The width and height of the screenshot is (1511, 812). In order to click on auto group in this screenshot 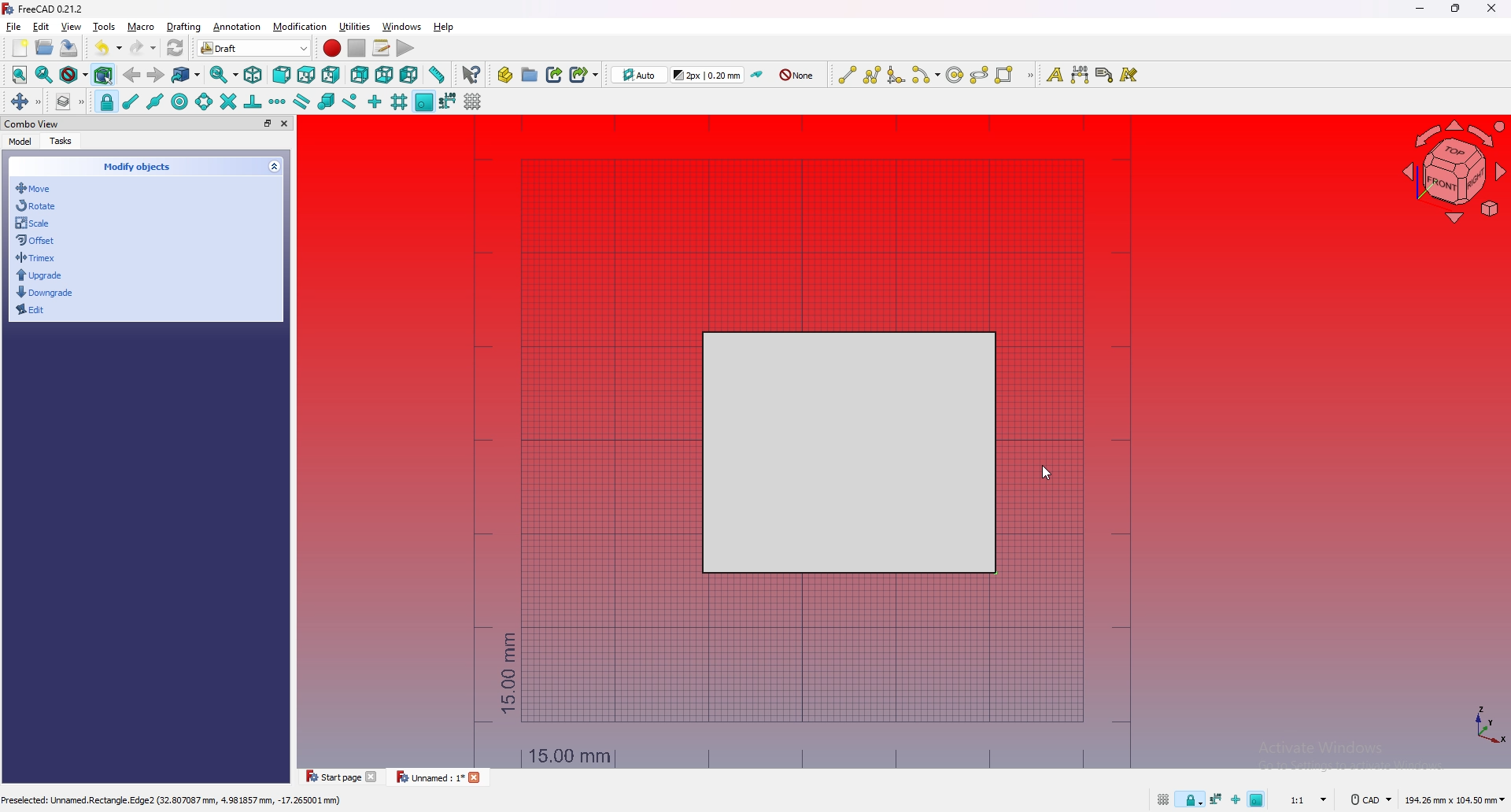, I will do `click(797, 76)`.